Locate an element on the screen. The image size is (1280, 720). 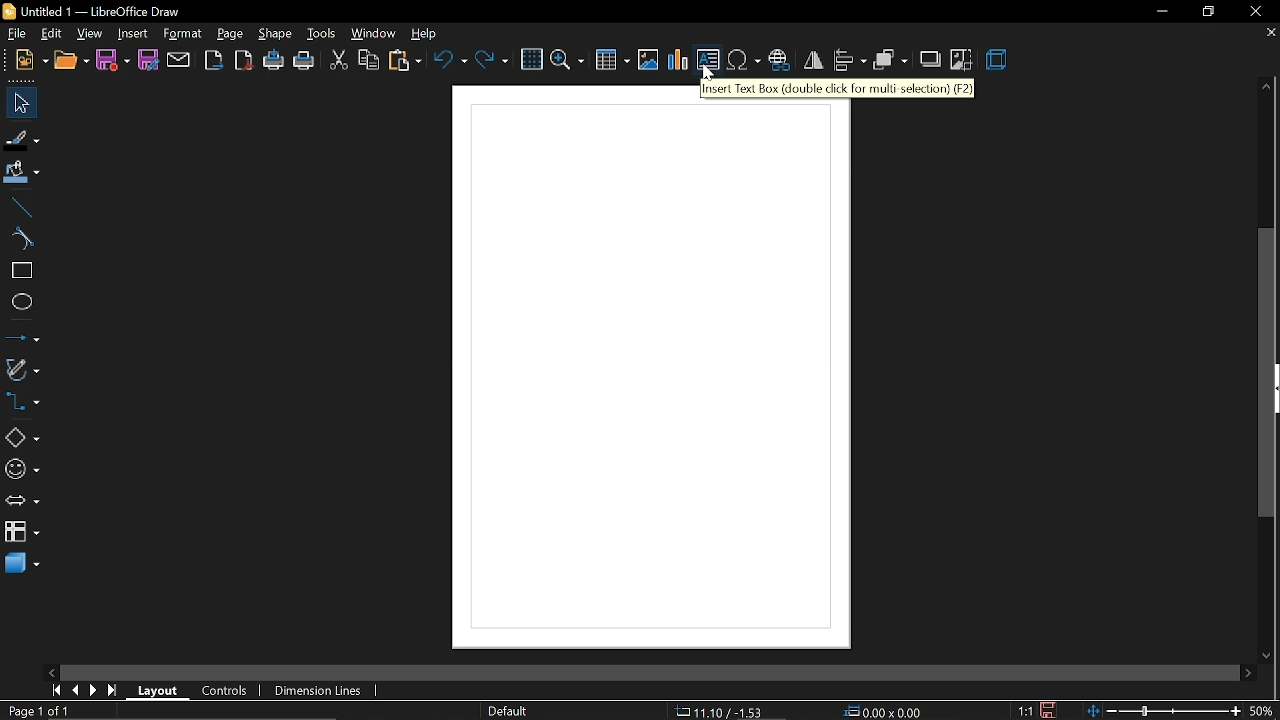
close is located at coordinates (1255, 12).